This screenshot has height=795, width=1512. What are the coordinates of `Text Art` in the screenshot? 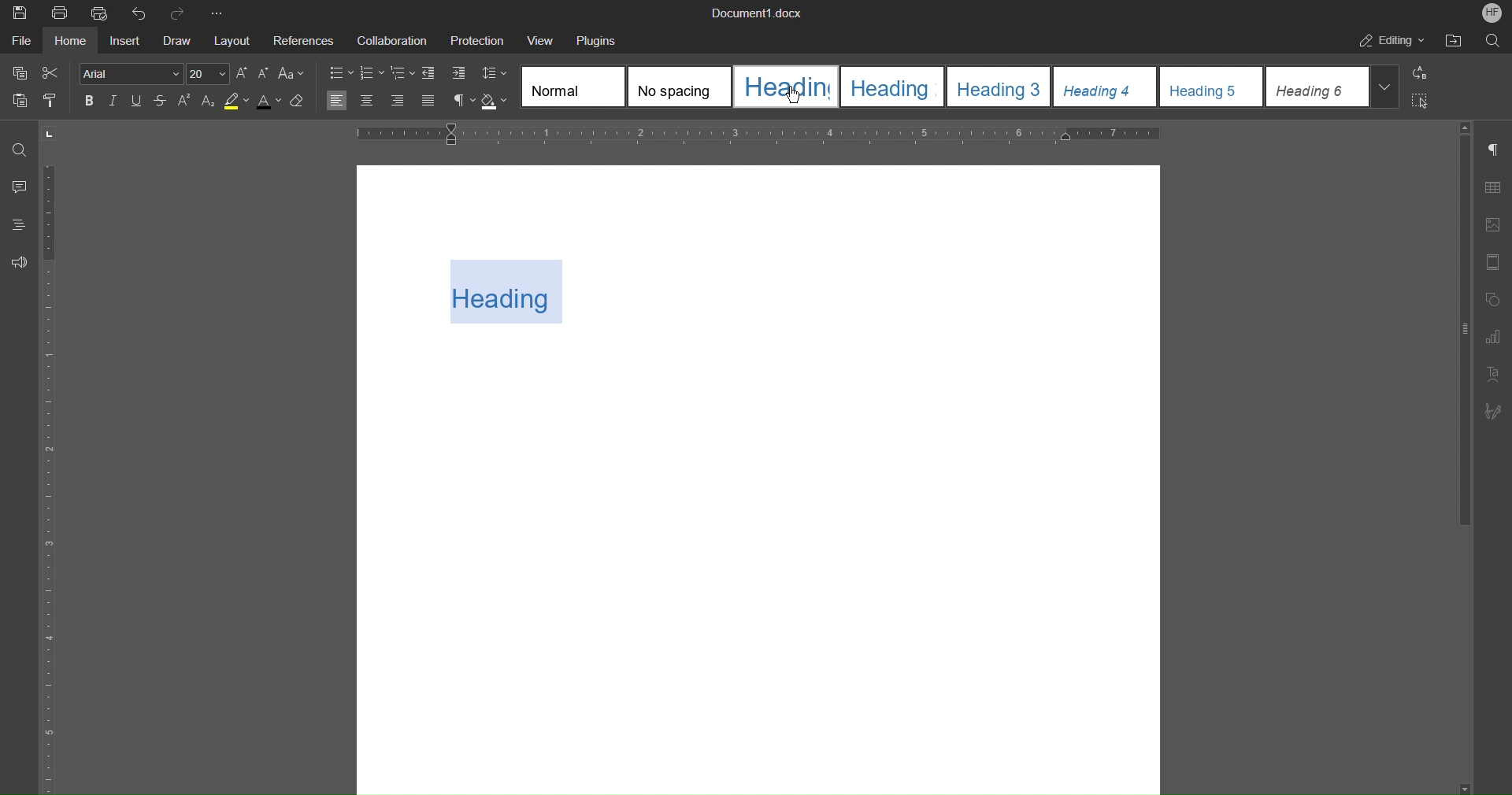 It's located at (1493, 374).